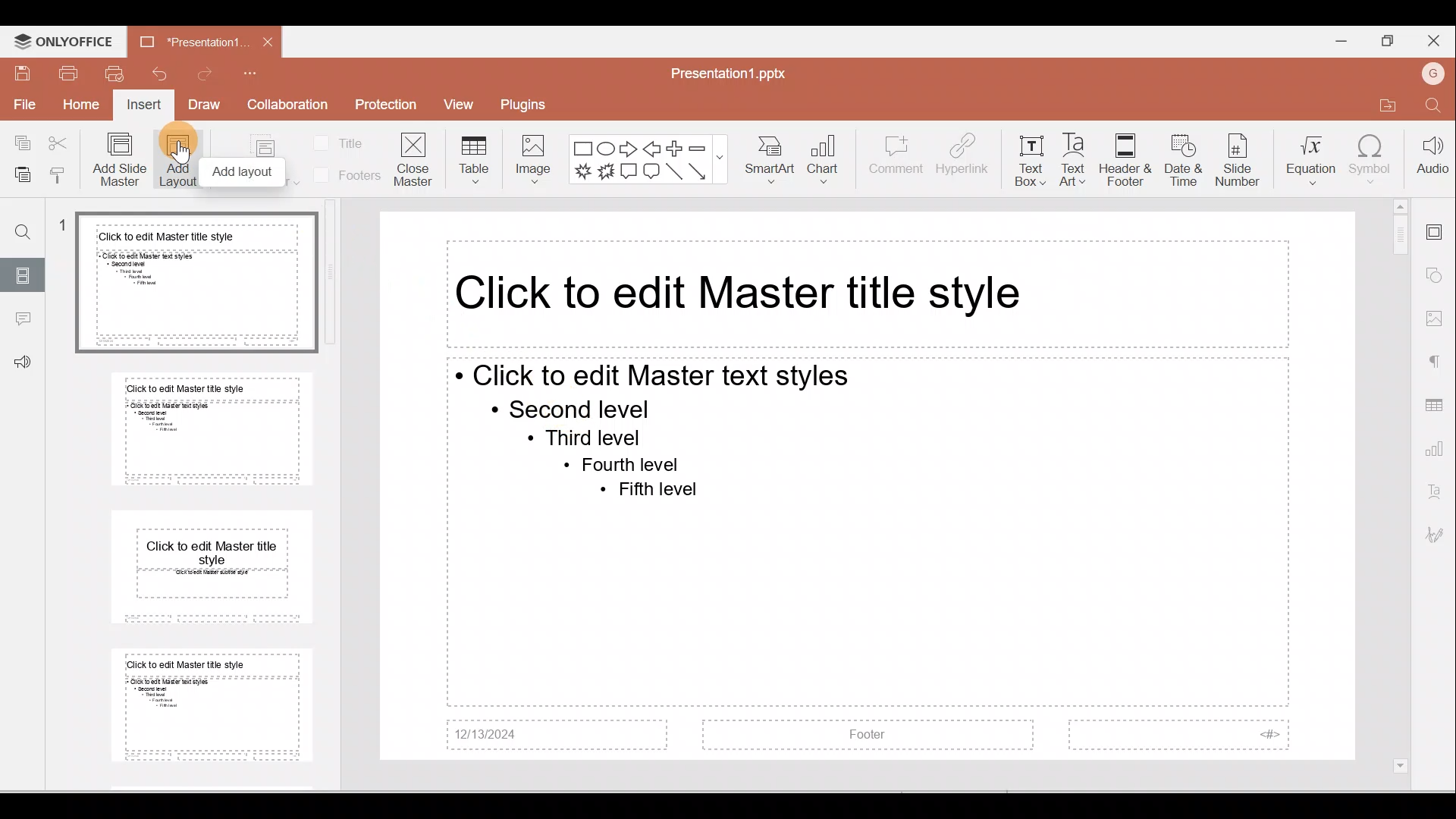 Image resolution: width=1456 pixels, height=819 pixels. Describe the element at coordinates (721, 155) in the screenshot. I see `show more` at that location.